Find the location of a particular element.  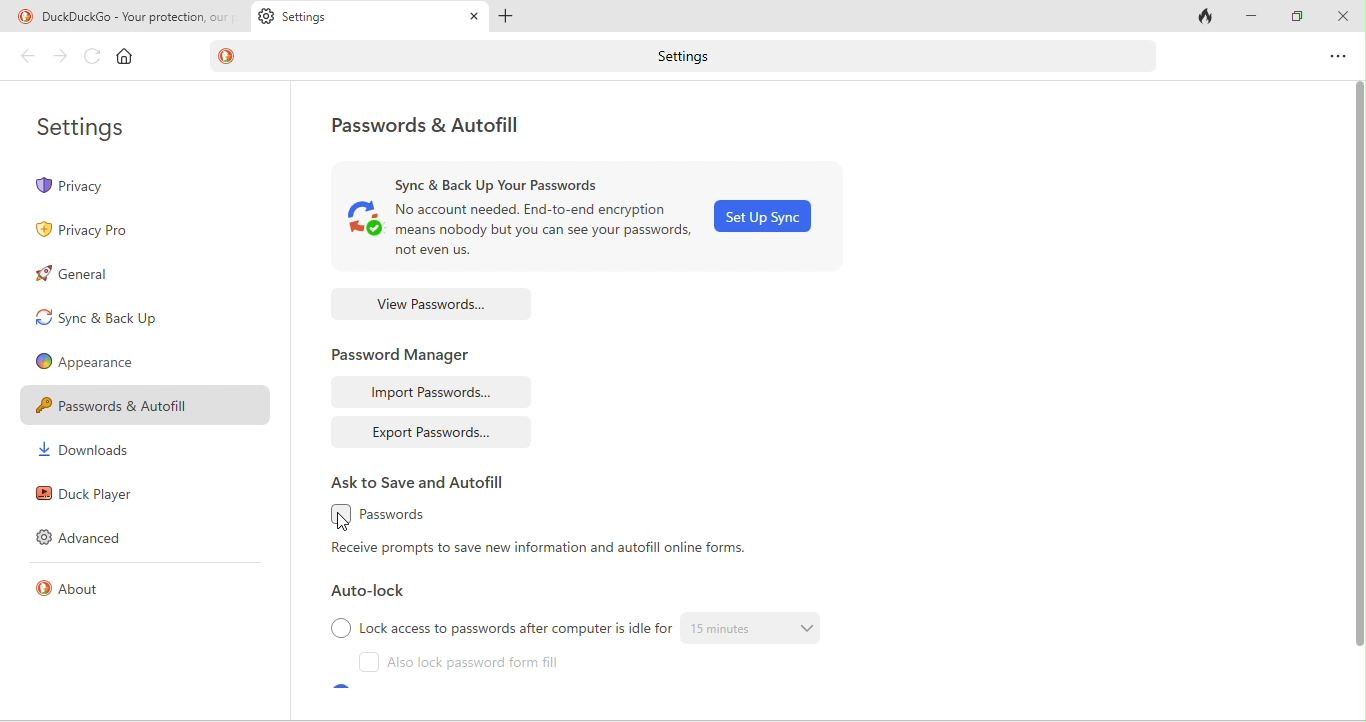

ask to save and autofill is located at coordinates (423, 482).